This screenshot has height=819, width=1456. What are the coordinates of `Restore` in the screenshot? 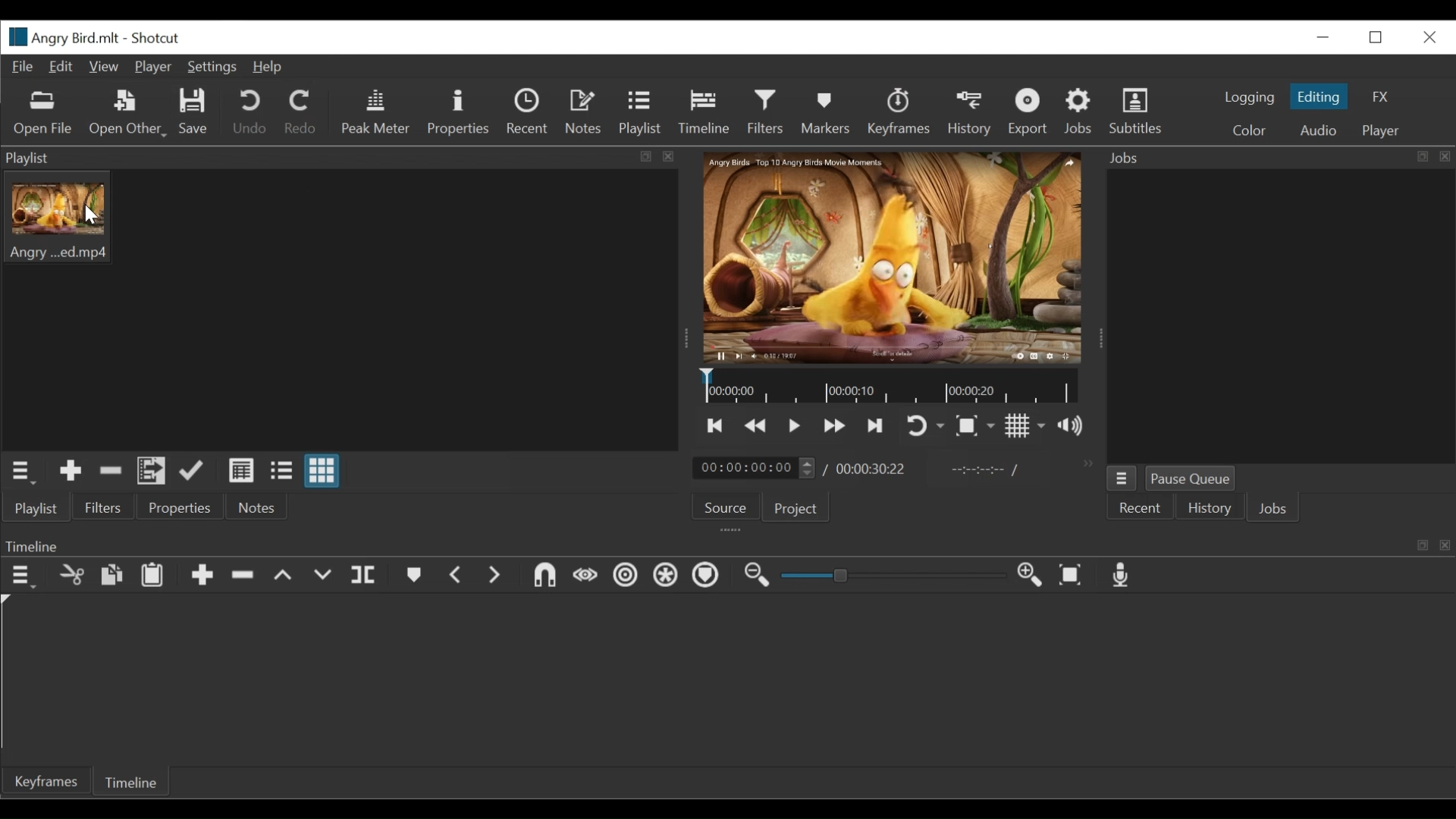 It's located at (1377, 37).